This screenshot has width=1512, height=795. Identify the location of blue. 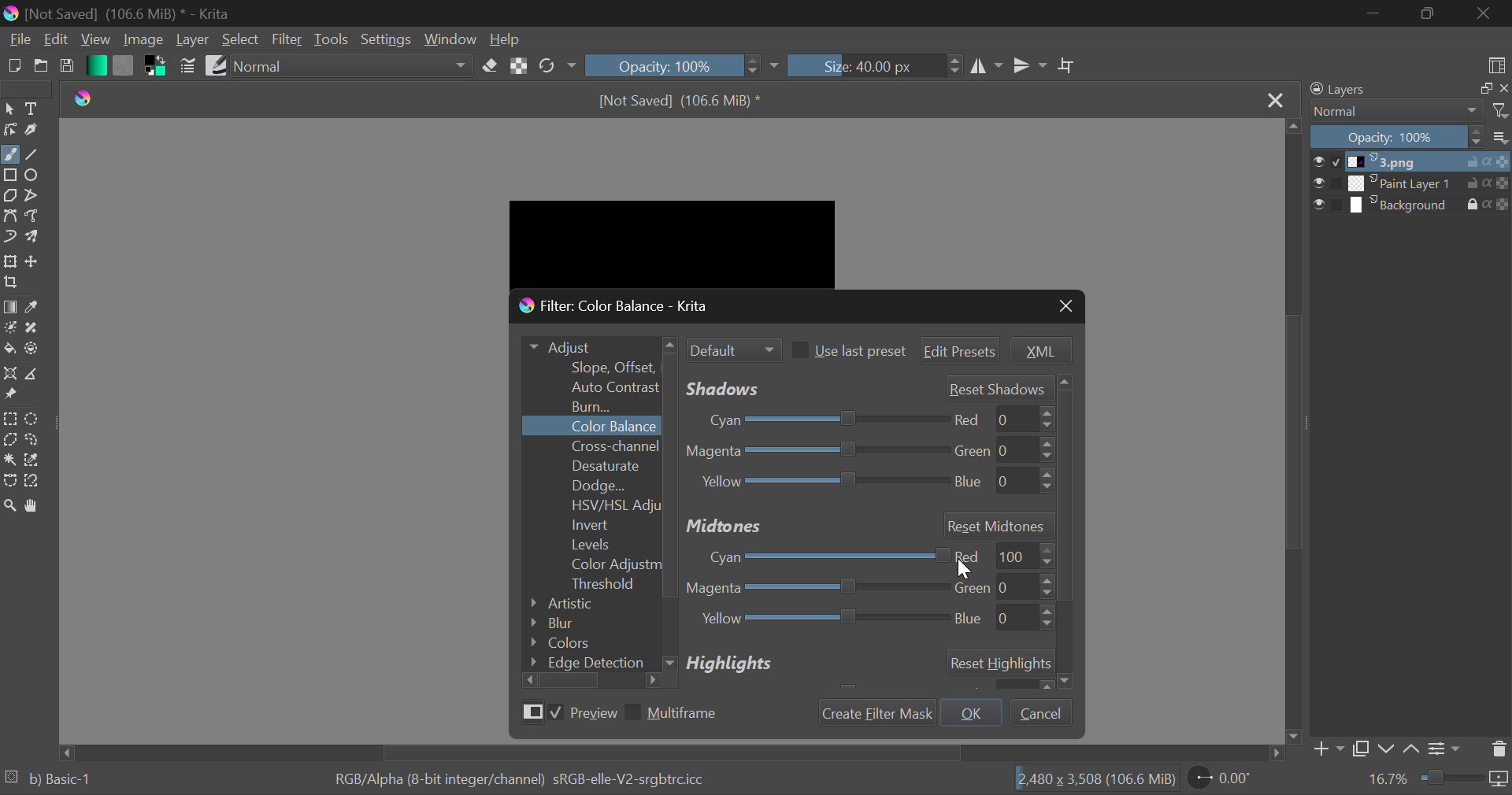
(1001, 482).